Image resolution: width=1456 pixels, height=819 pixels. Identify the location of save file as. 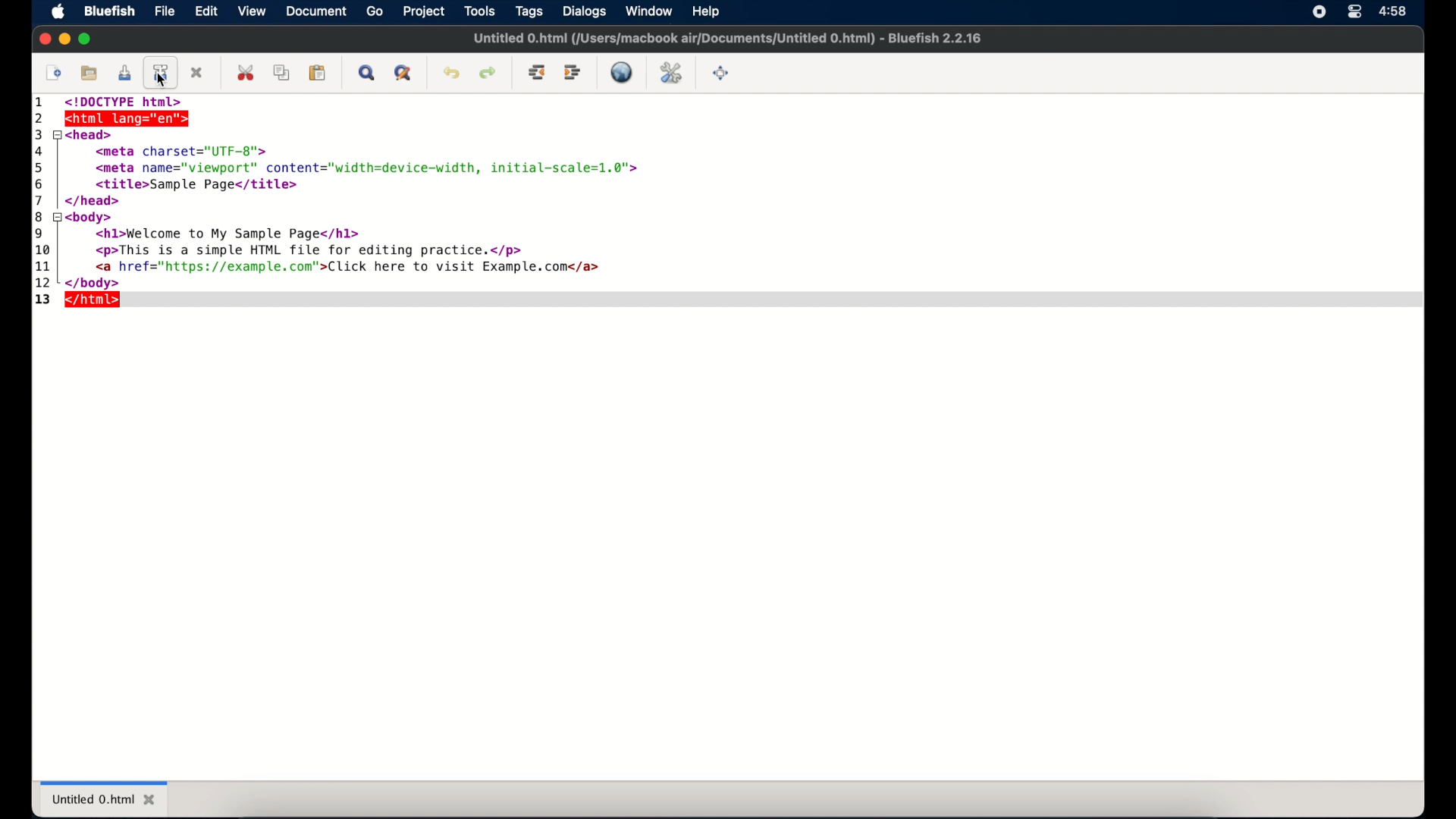
(162, 71).